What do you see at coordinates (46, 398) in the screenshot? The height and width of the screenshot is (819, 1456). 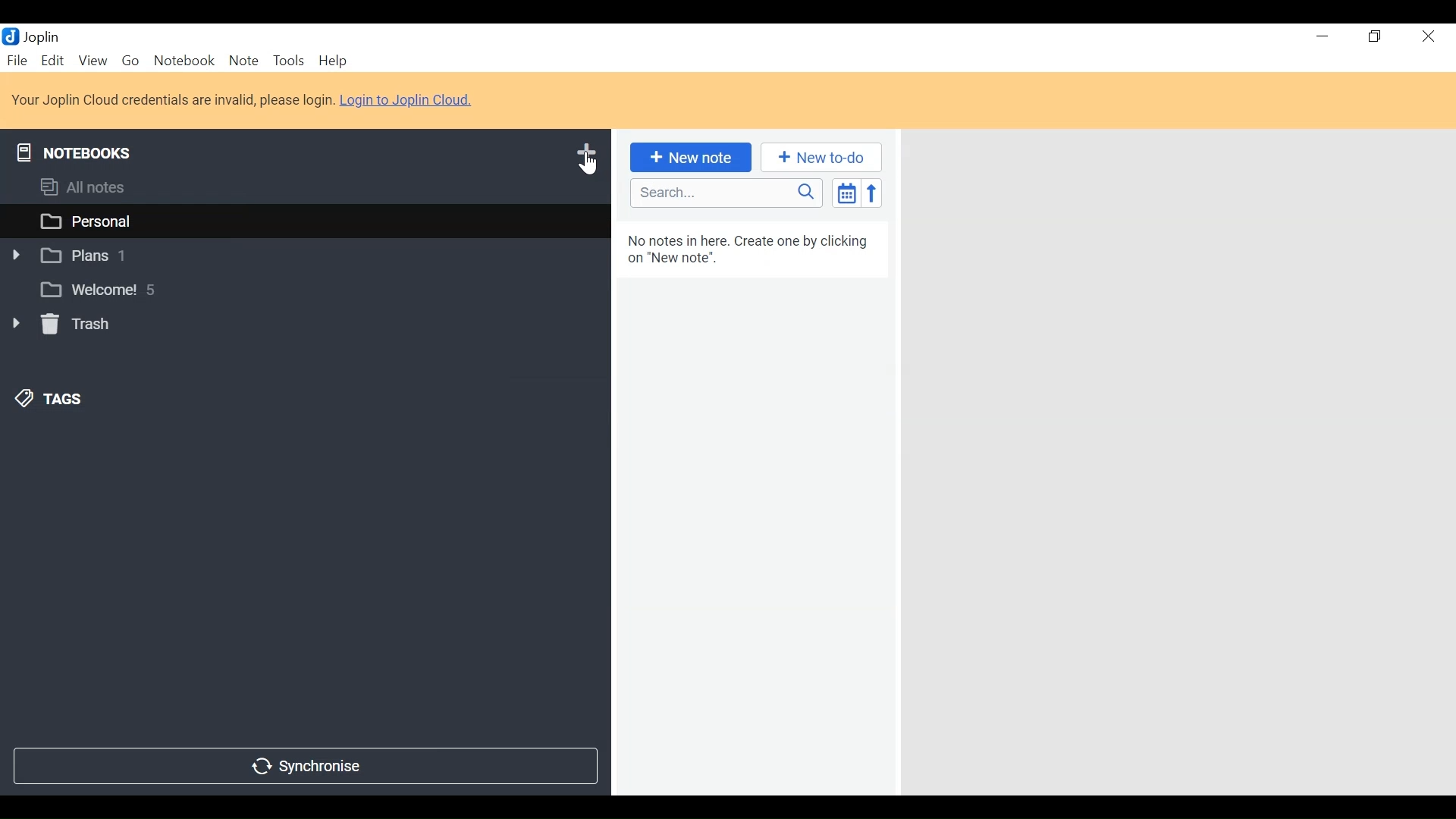 I see `Tags` at bounding box center [46, 398].